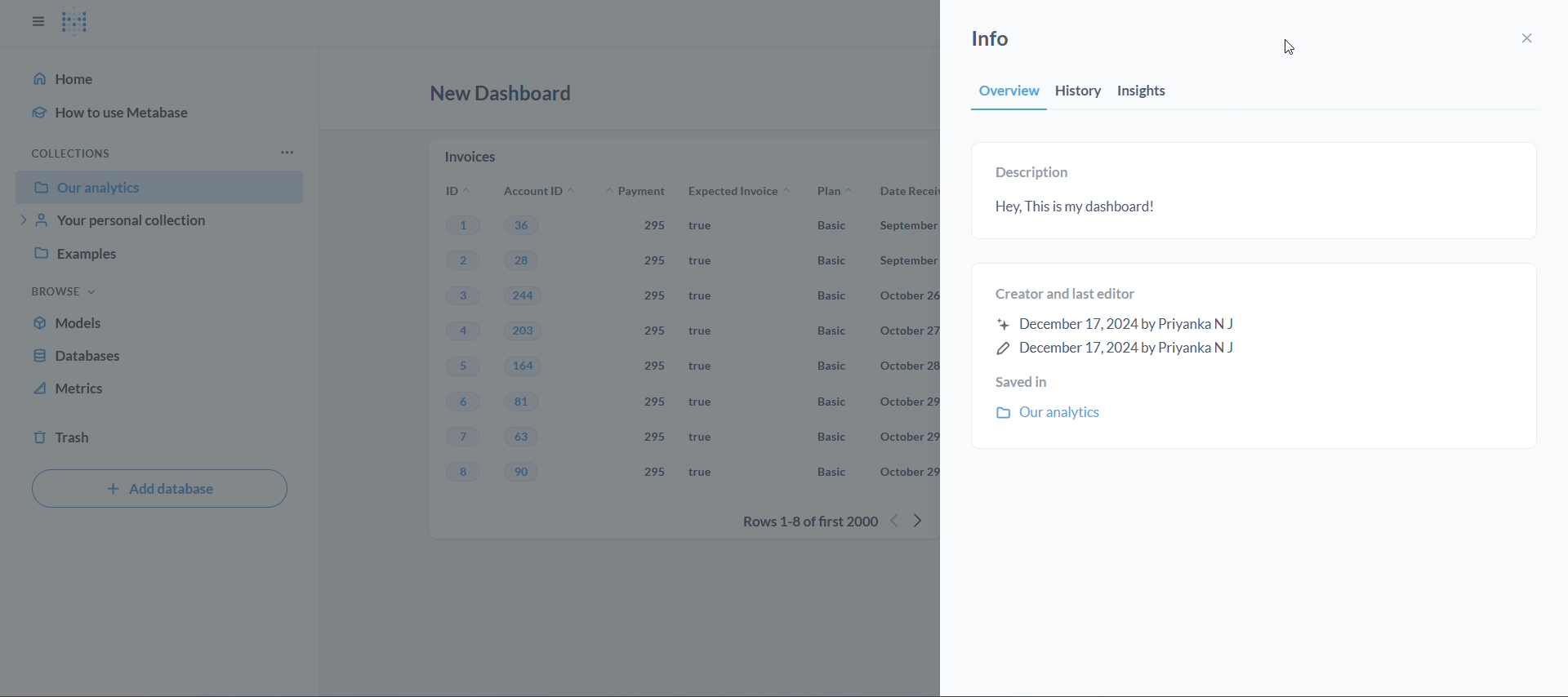 The image size is (1568, 697). Describe the element at coordinates (1005, 37) in the screenshot. I see `info` at that location.